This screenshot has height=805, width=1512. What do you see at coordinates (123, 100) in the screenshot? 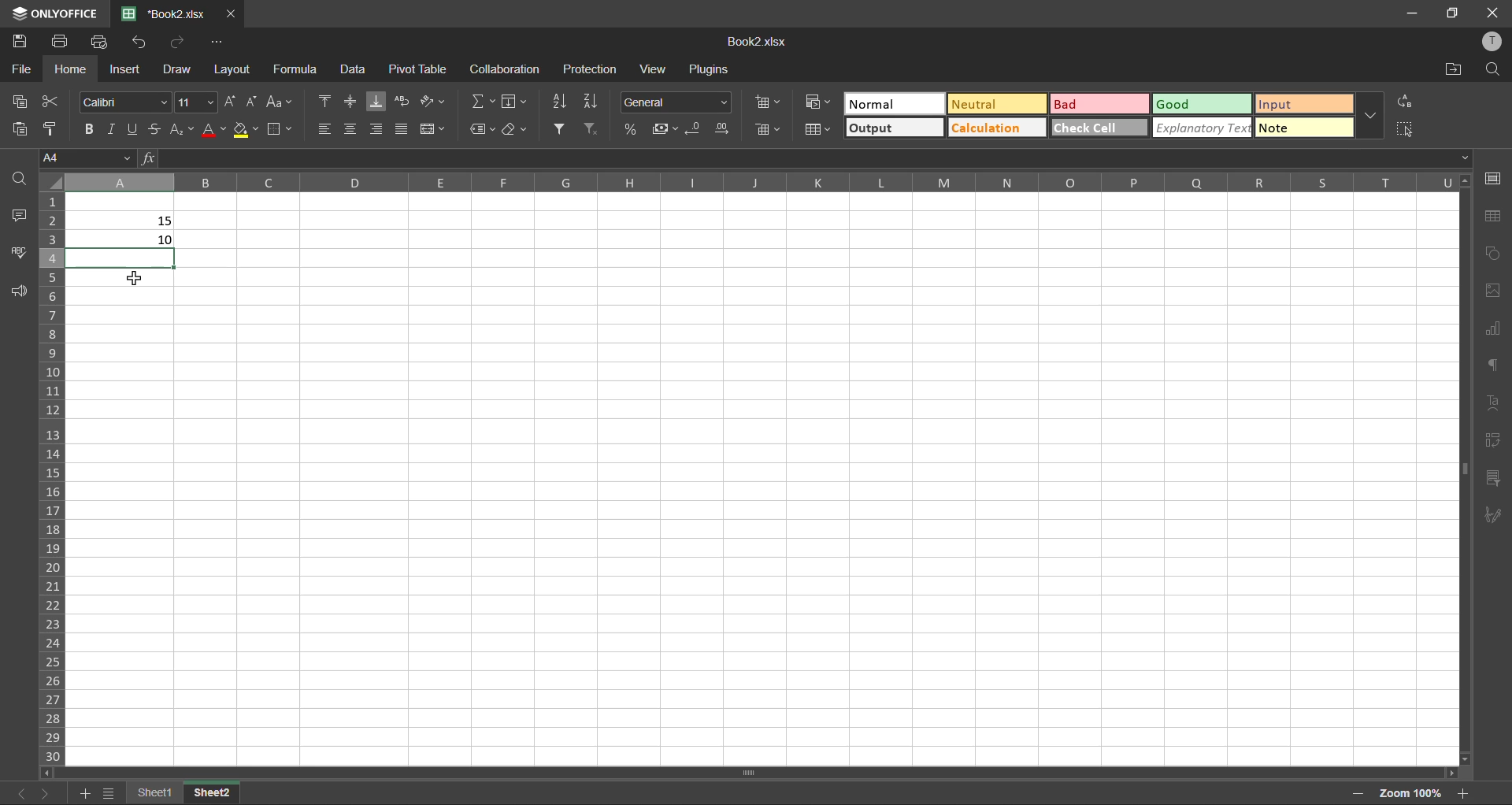
I see `fontstyle` at bounding box center [123, 100].